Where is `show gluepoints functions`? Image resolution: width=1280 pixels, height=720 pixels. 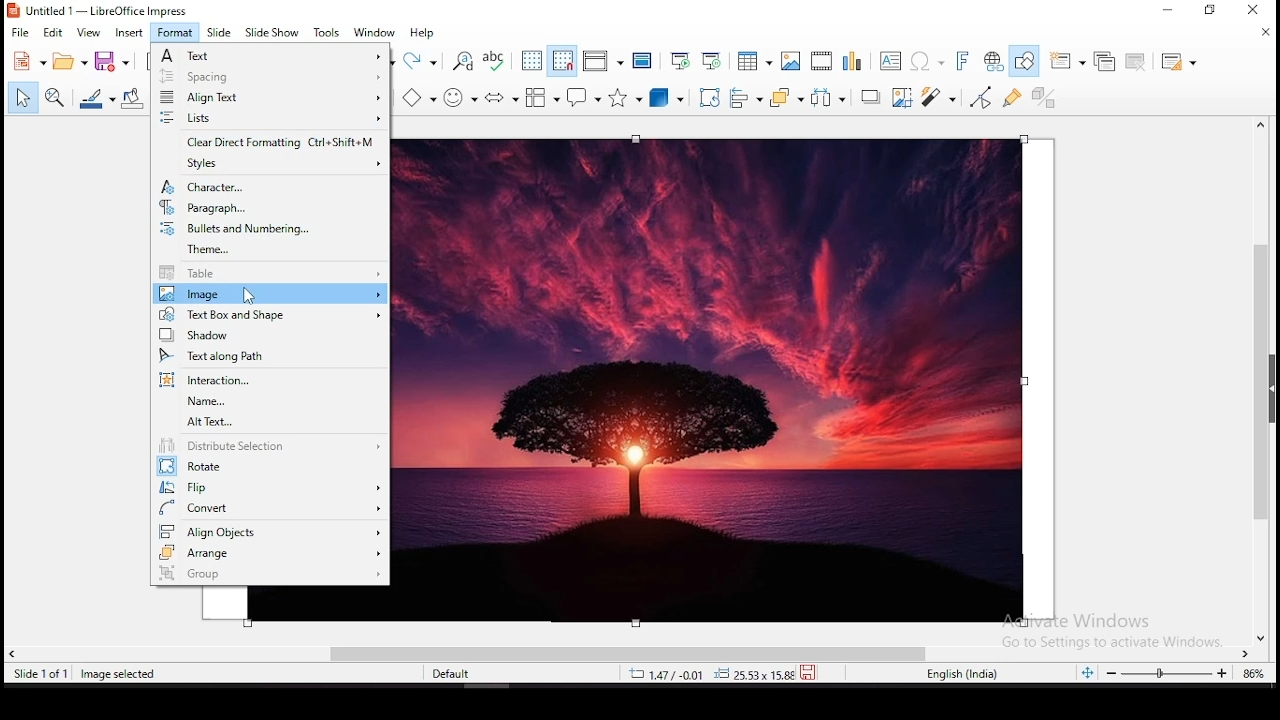
show gluepoints functions is located at coordinates (1010, 98).